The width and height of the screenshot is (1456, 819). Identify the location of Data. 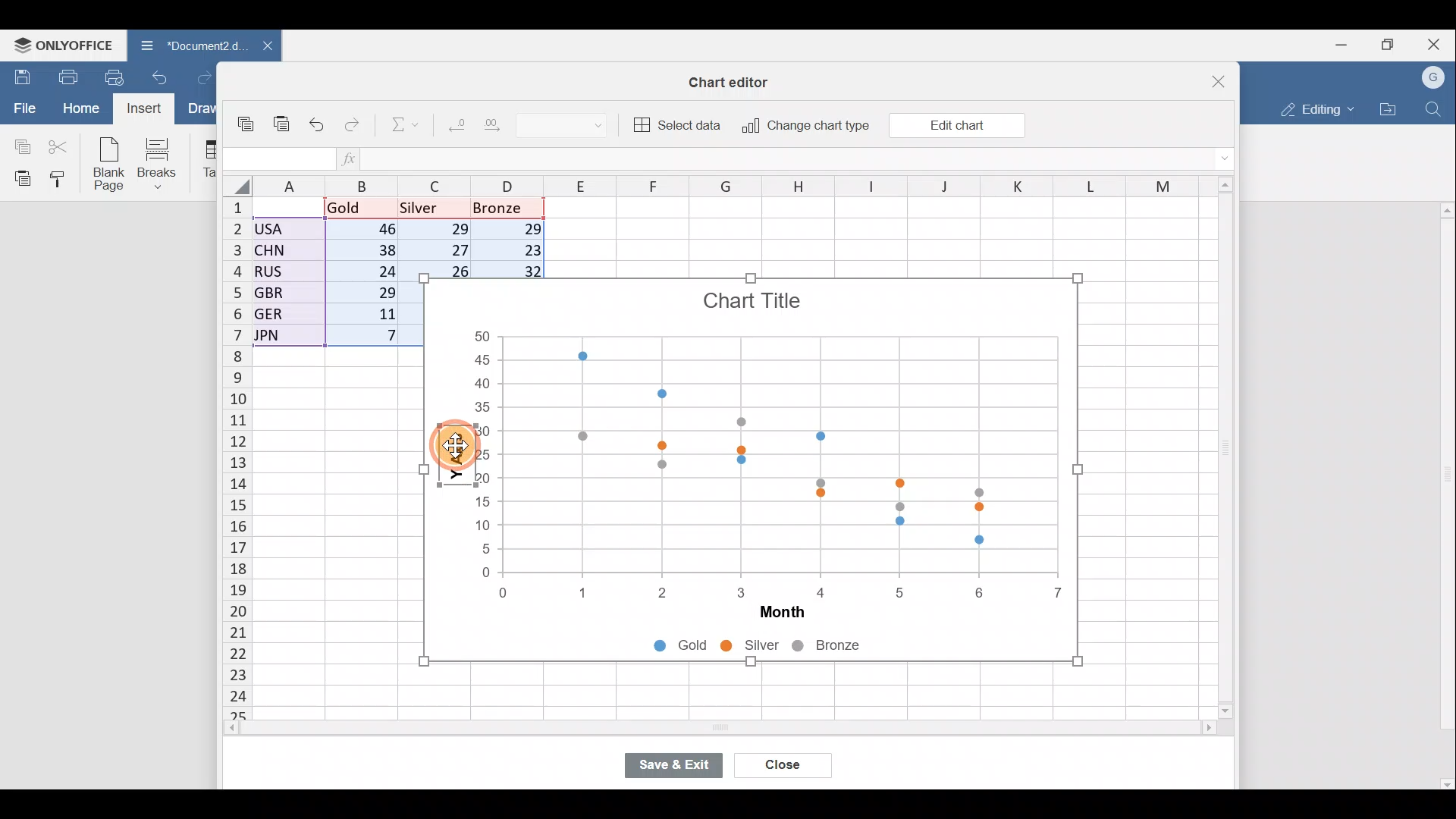
(331, 277).